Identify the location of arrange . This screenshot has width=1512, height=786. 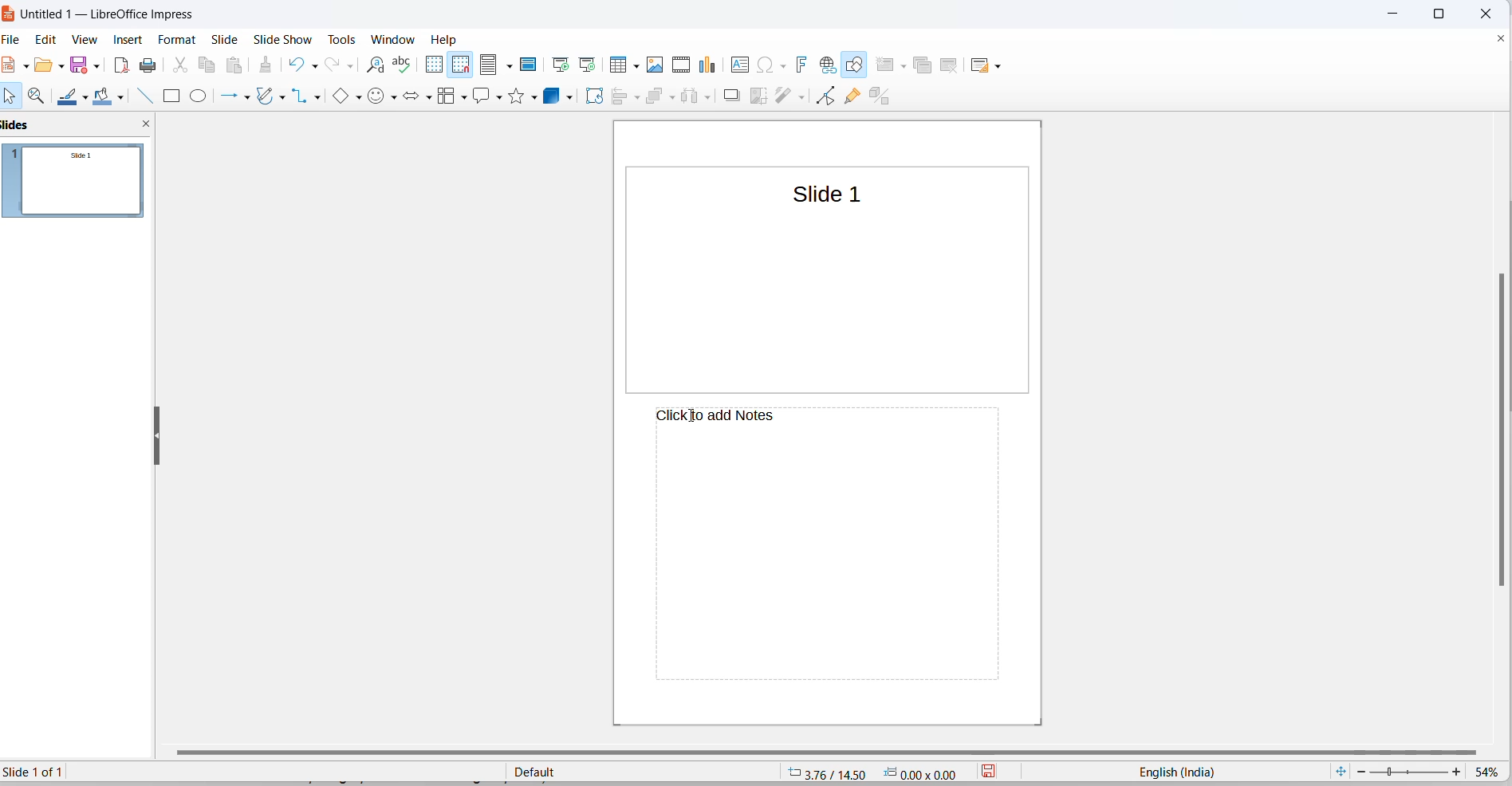
(655, 97).